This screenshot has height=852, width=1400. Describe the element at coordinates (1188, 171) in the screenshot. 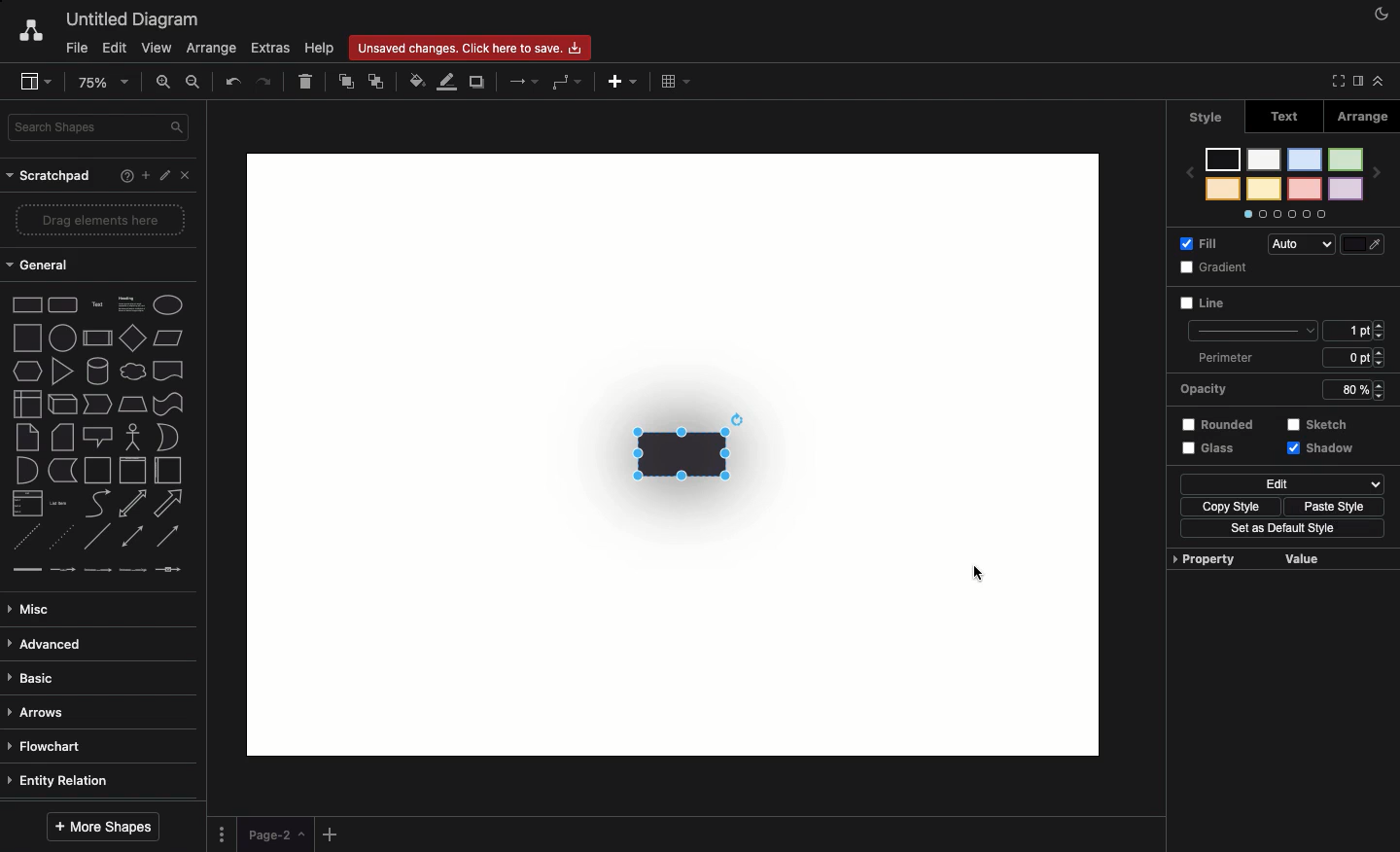

I see `previous` at that location.